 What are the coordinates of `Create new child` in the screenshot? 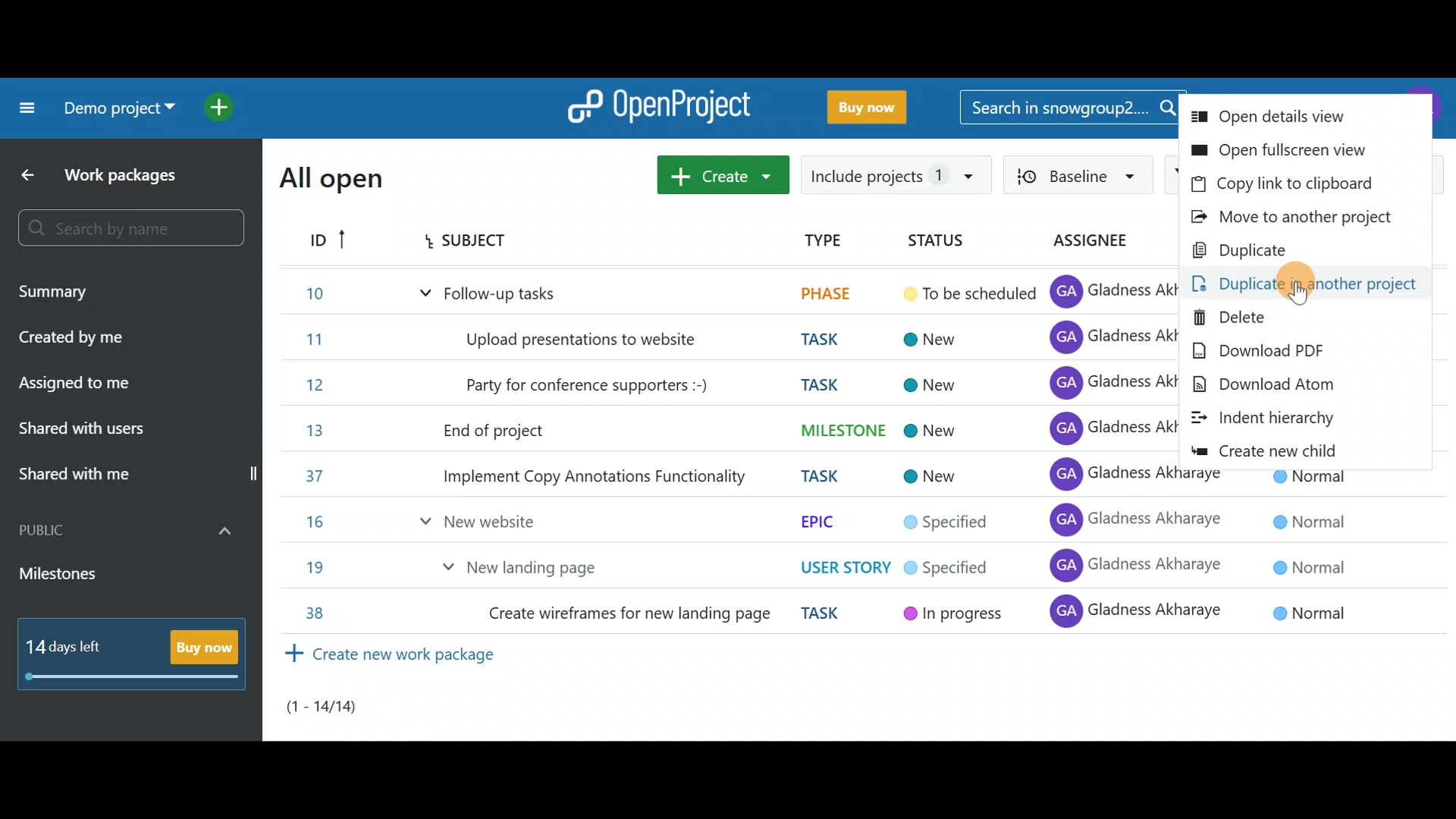 It's located at (1298, 450).